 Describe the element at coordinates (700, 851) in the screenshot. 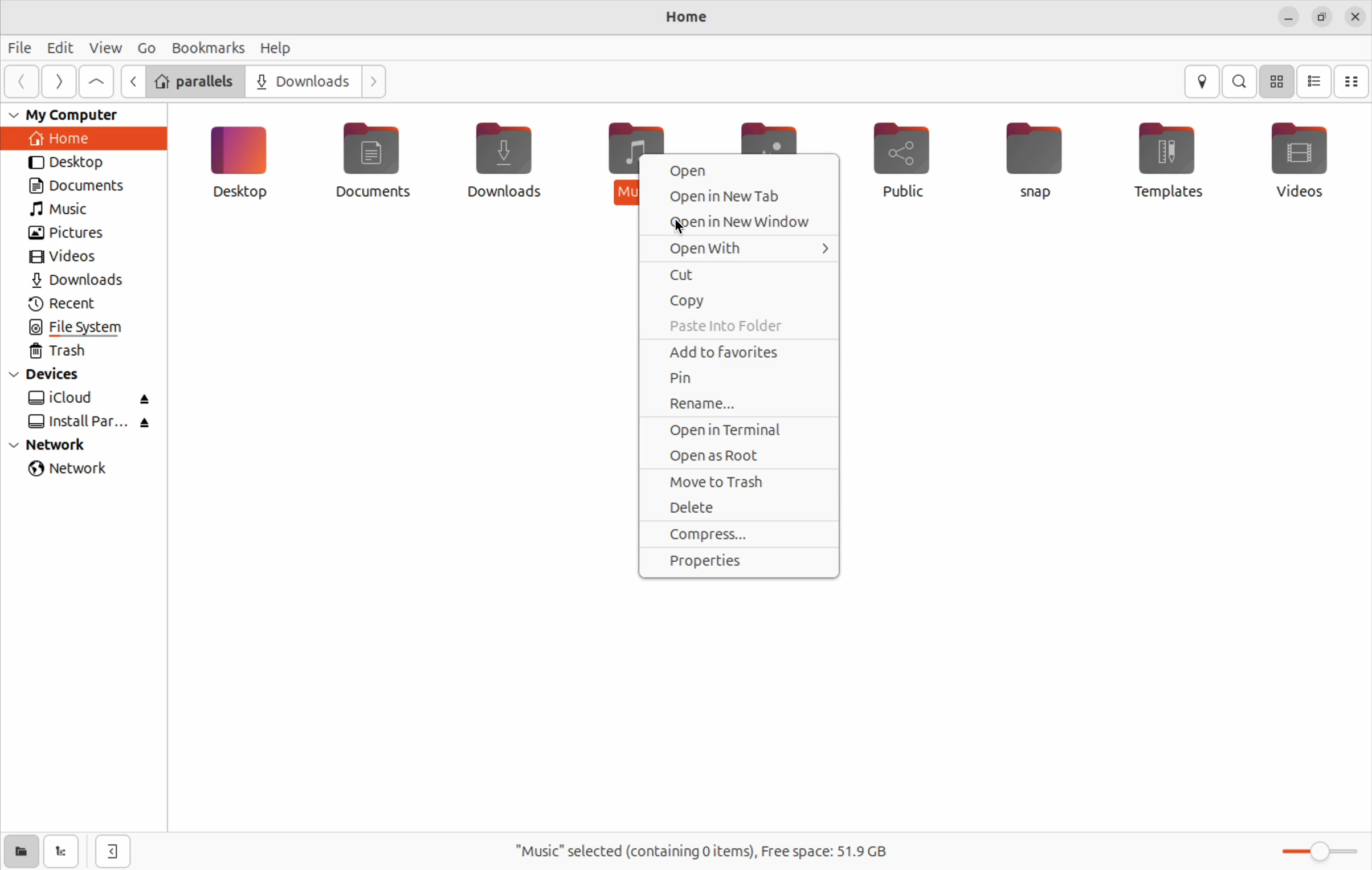

I see `Free space` at that location.